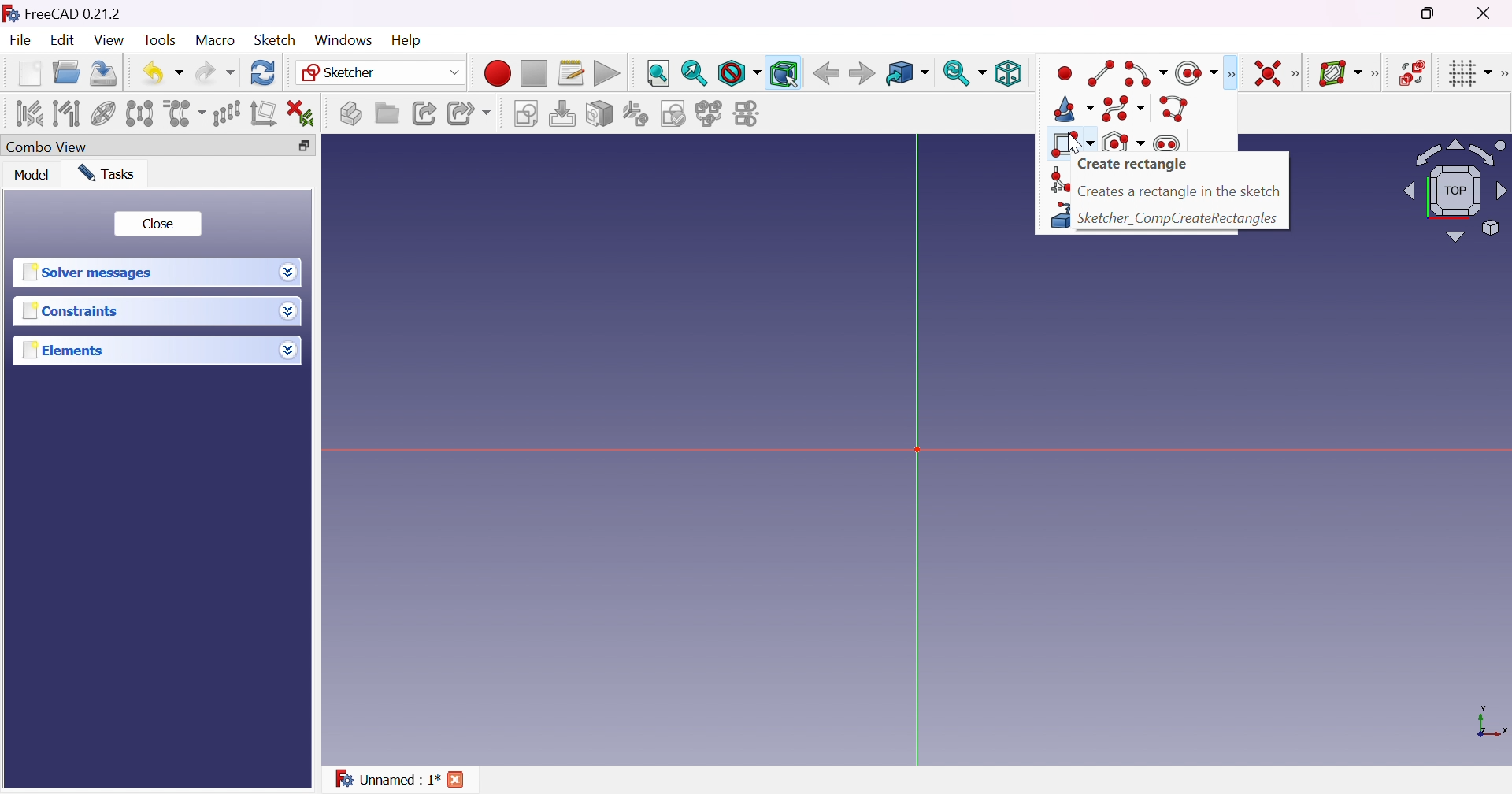 This screenshot has height=794, width=1512. Describe the element at coordinates (1299, 75) in the screenshot. I see `[Sketcher constraints]` at that location.